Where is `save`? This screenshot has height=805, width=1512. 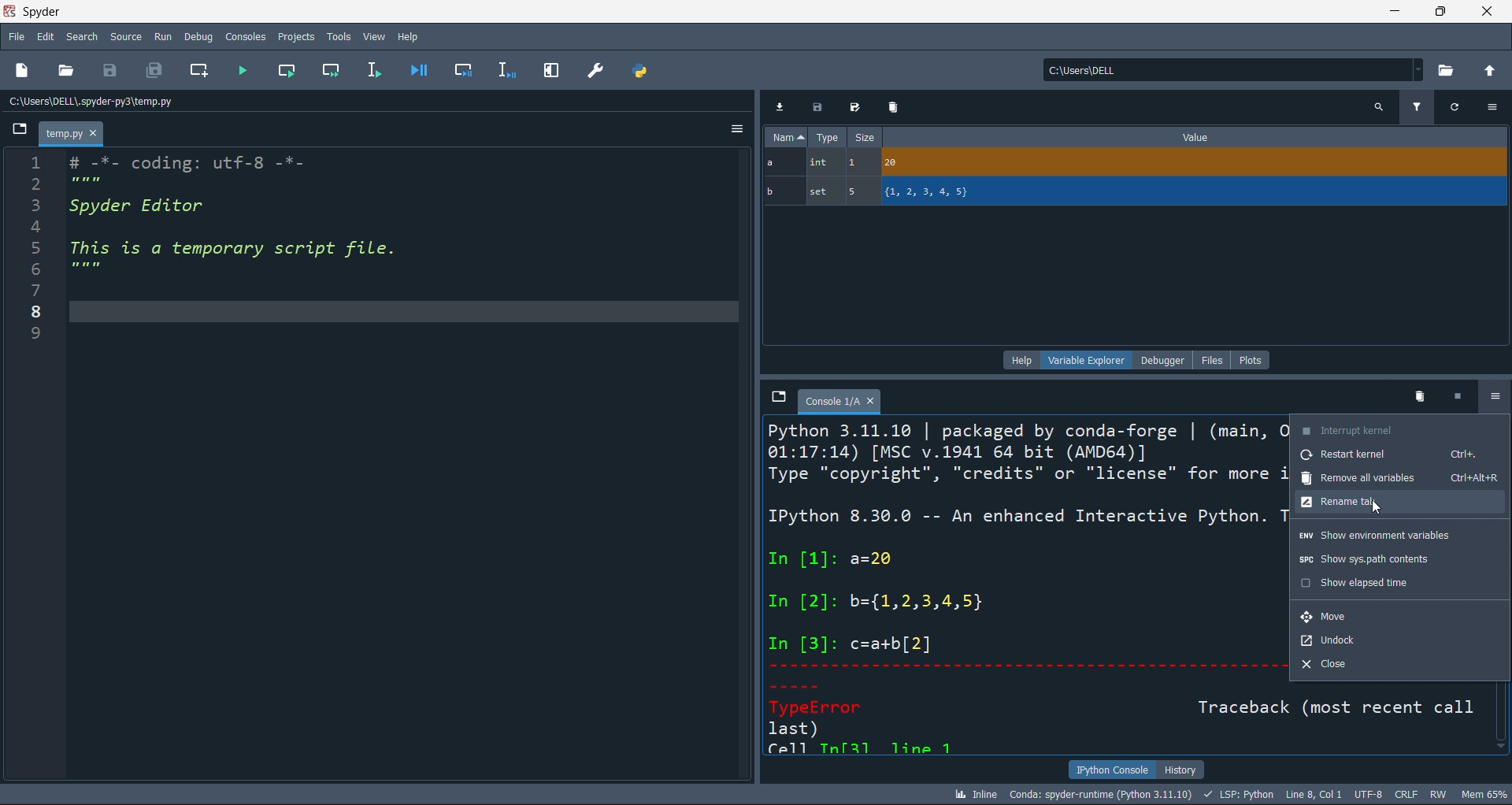 save is located at coordinates (115, 70).